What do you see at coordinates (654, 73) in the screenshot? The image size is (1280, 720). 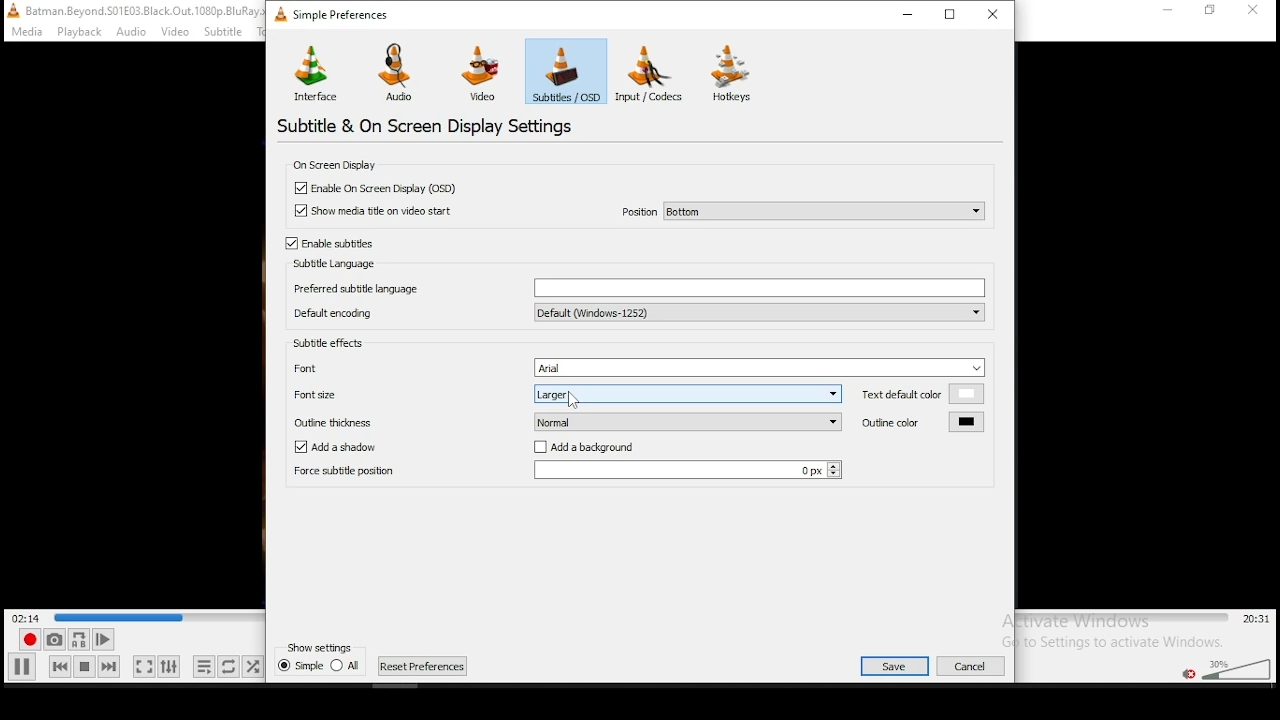 I see `input/codecs` at bounding box center [654, 73].